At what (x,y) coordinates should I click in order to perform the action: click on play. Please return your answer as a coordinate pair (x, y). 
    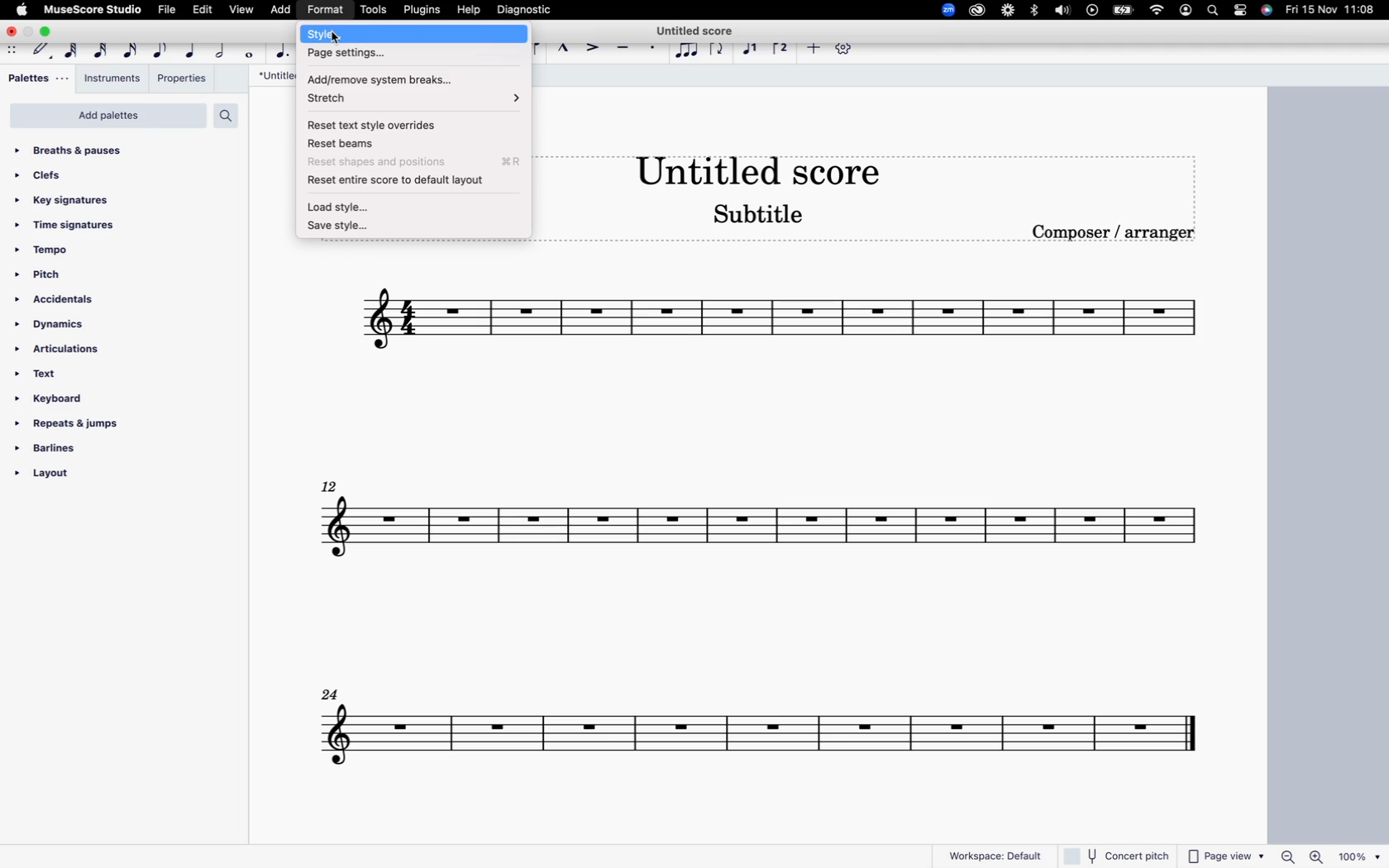
    Looking at the image, I should click on (1092, 11).